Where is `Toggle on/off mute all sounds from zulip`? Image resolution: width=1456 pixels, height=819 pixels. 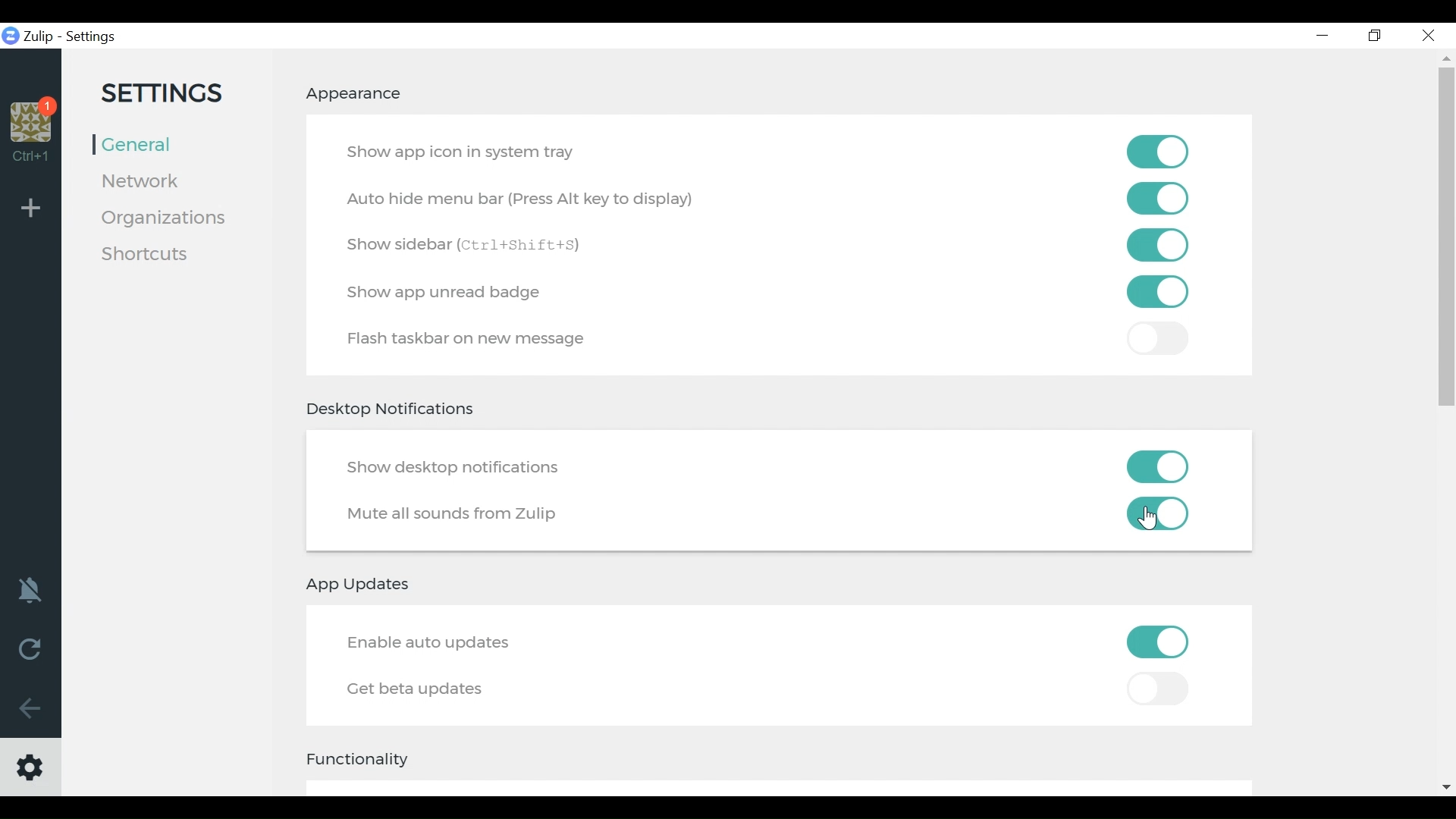
Toggle on/off mute all sounds from zulip is located at coordinates (1161, 515).